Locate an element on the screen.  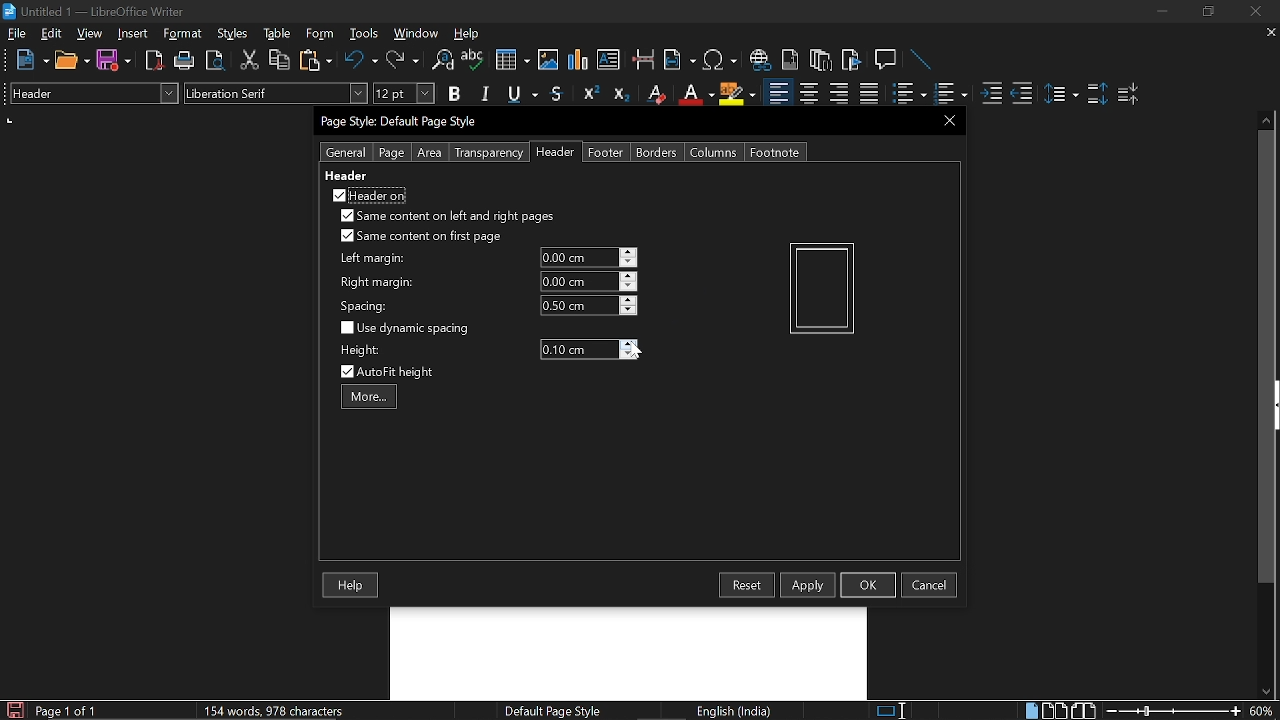
Same content on left and right is located at coordinates (446, 218).